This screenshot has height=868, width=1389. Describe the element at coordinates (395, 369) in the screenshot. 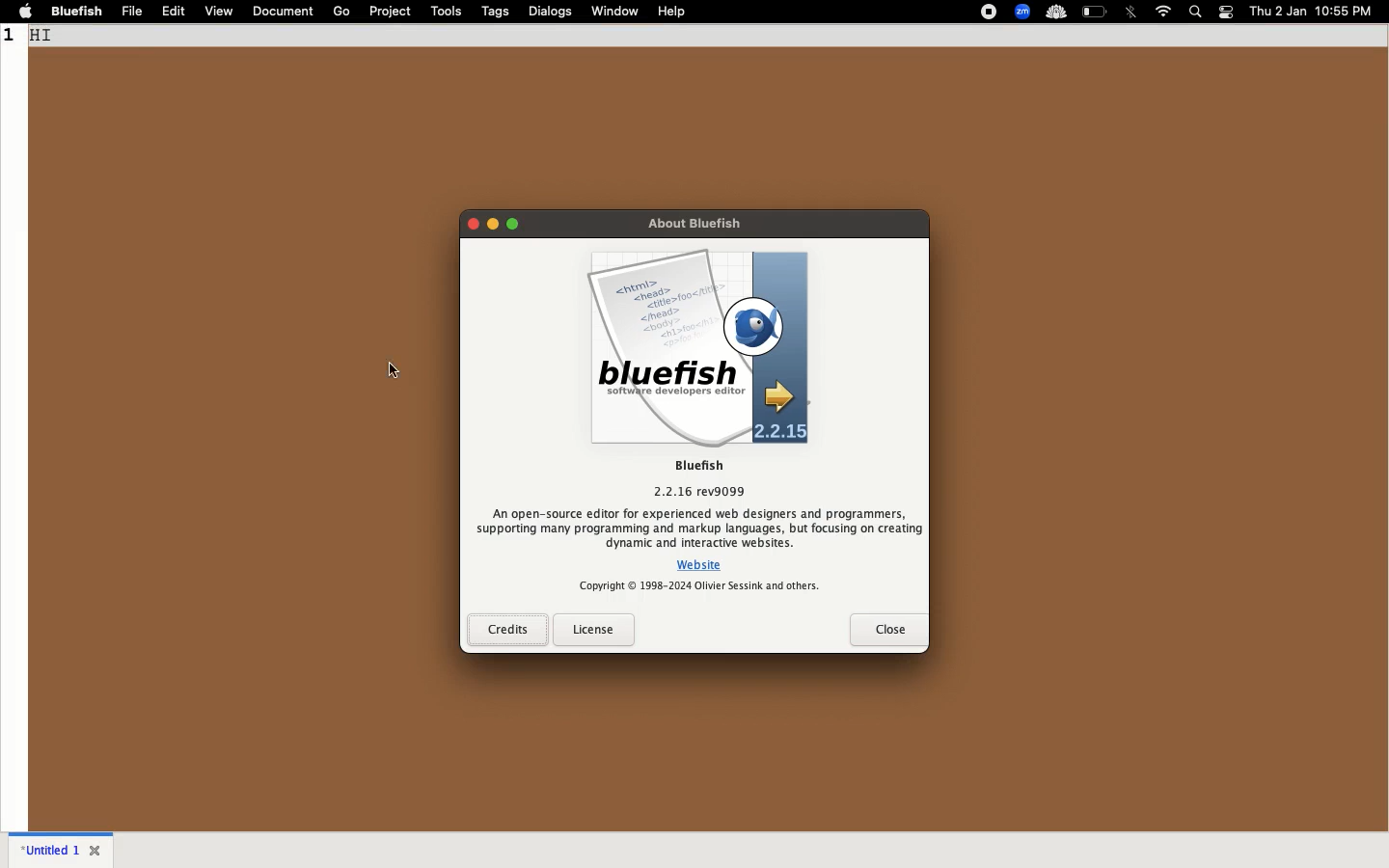

I see `cursor` at that location.